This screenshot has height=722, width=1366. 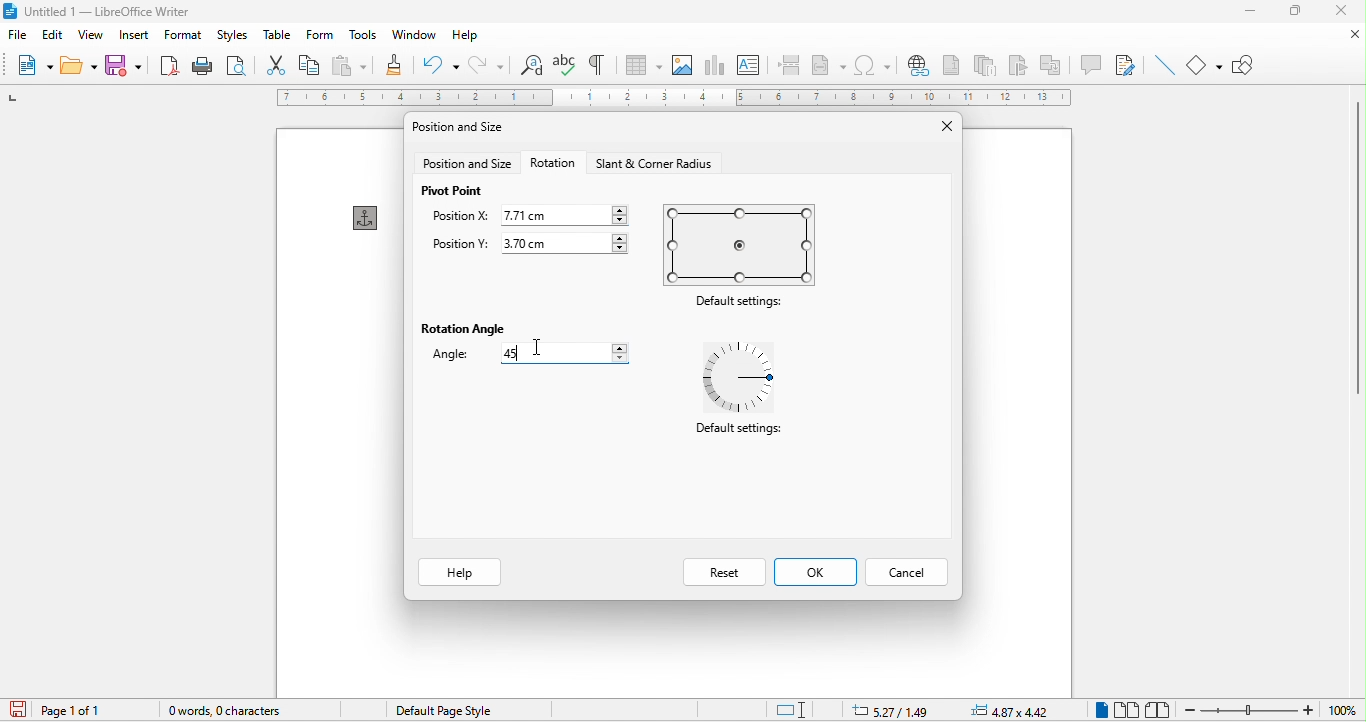 I want to click on position y, so click(x=462, y=244).